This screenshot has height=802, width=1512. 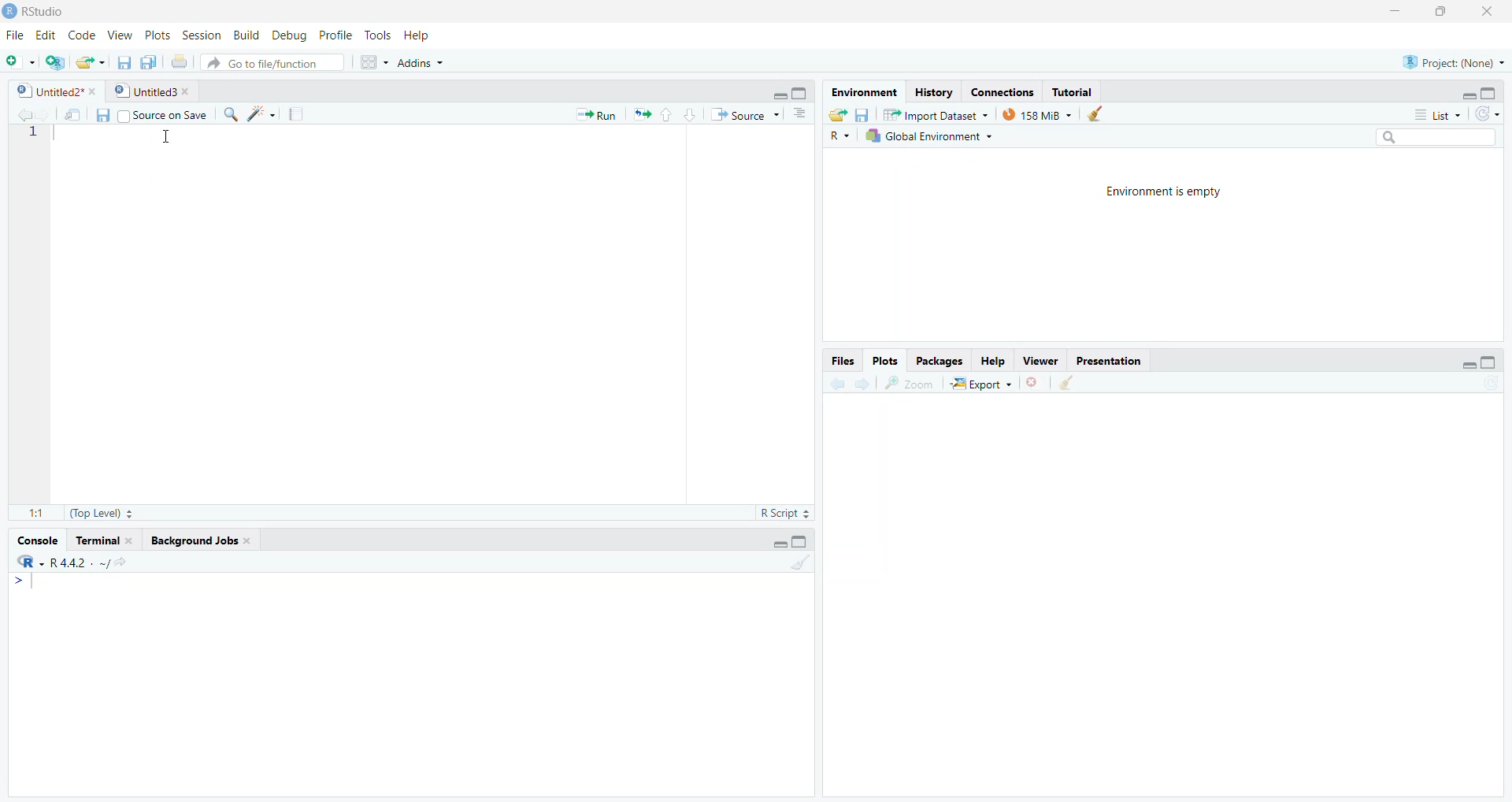 I want to click on Search, so click(x=1441, y=135).